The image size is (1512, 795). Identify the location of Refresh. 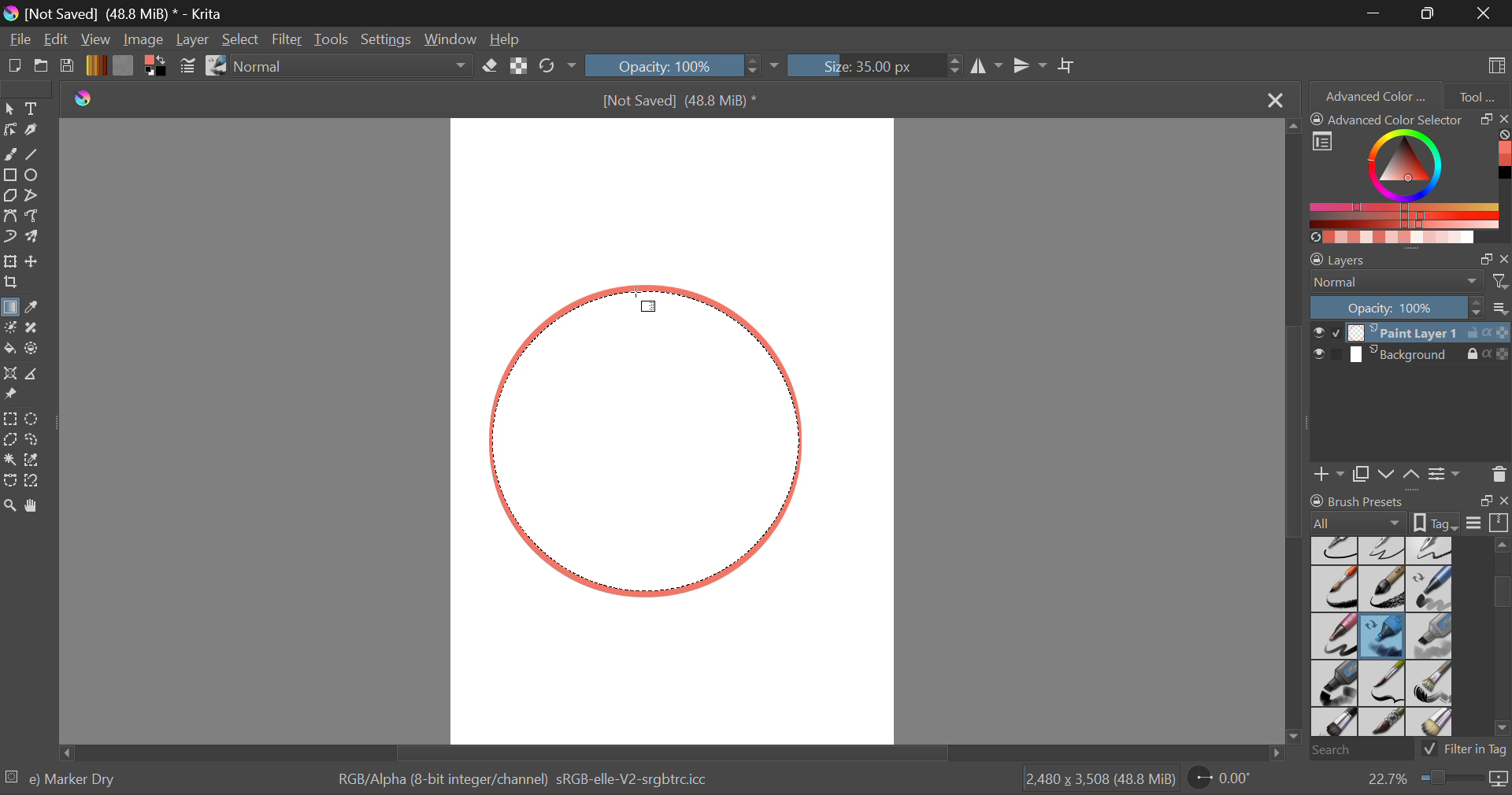
(551, 67).